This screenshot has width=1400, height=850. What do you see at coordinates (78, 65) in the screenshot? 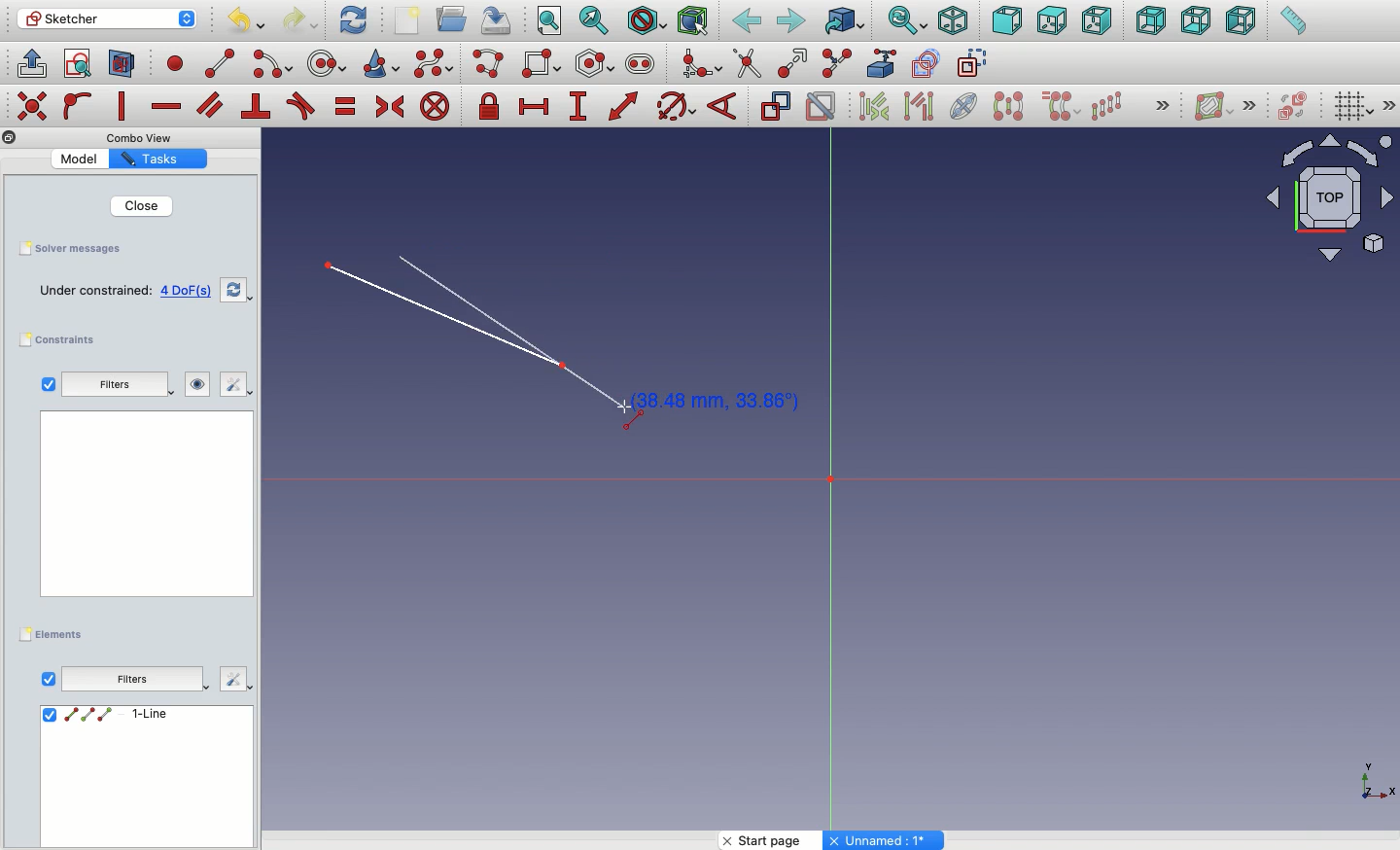
I see `View sketch` at bounding box center [78, 65].